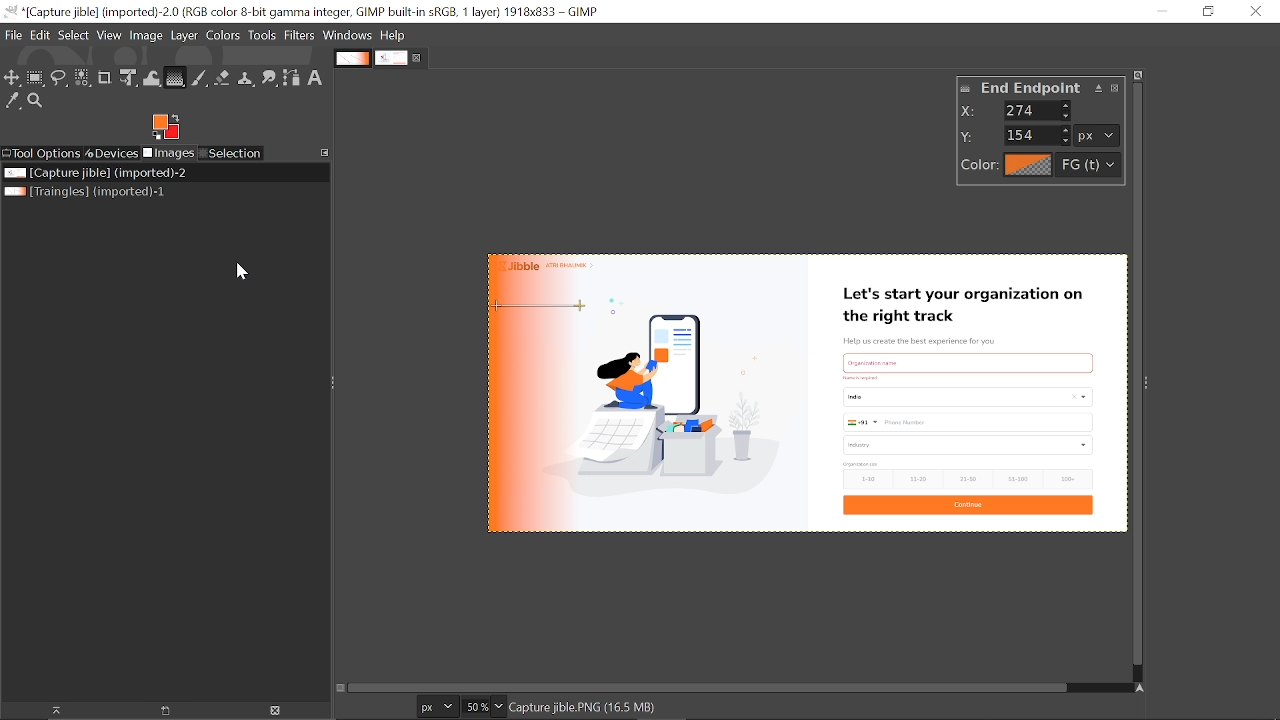  Describe the element at coordinates (1254, 11) in the screenshot. I see `Close` at that location.